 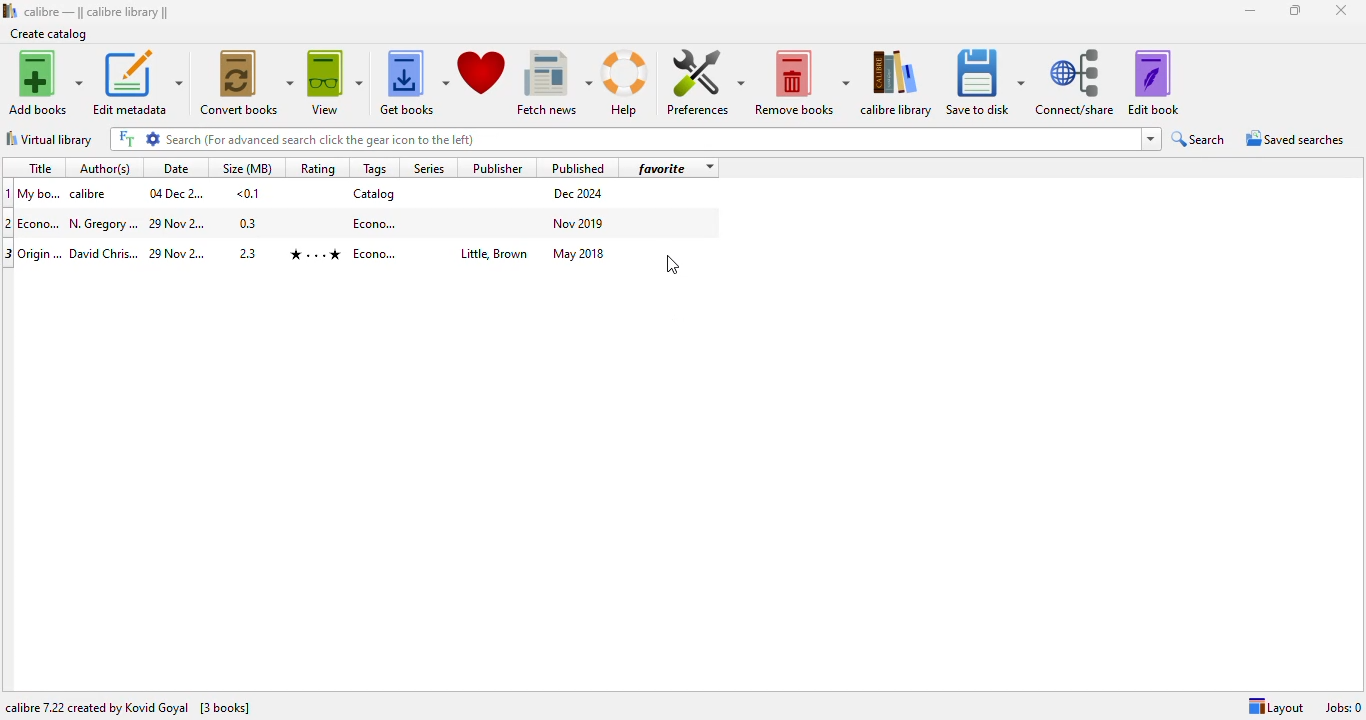 I want to click on save to disk, so click(x=985, y=83).